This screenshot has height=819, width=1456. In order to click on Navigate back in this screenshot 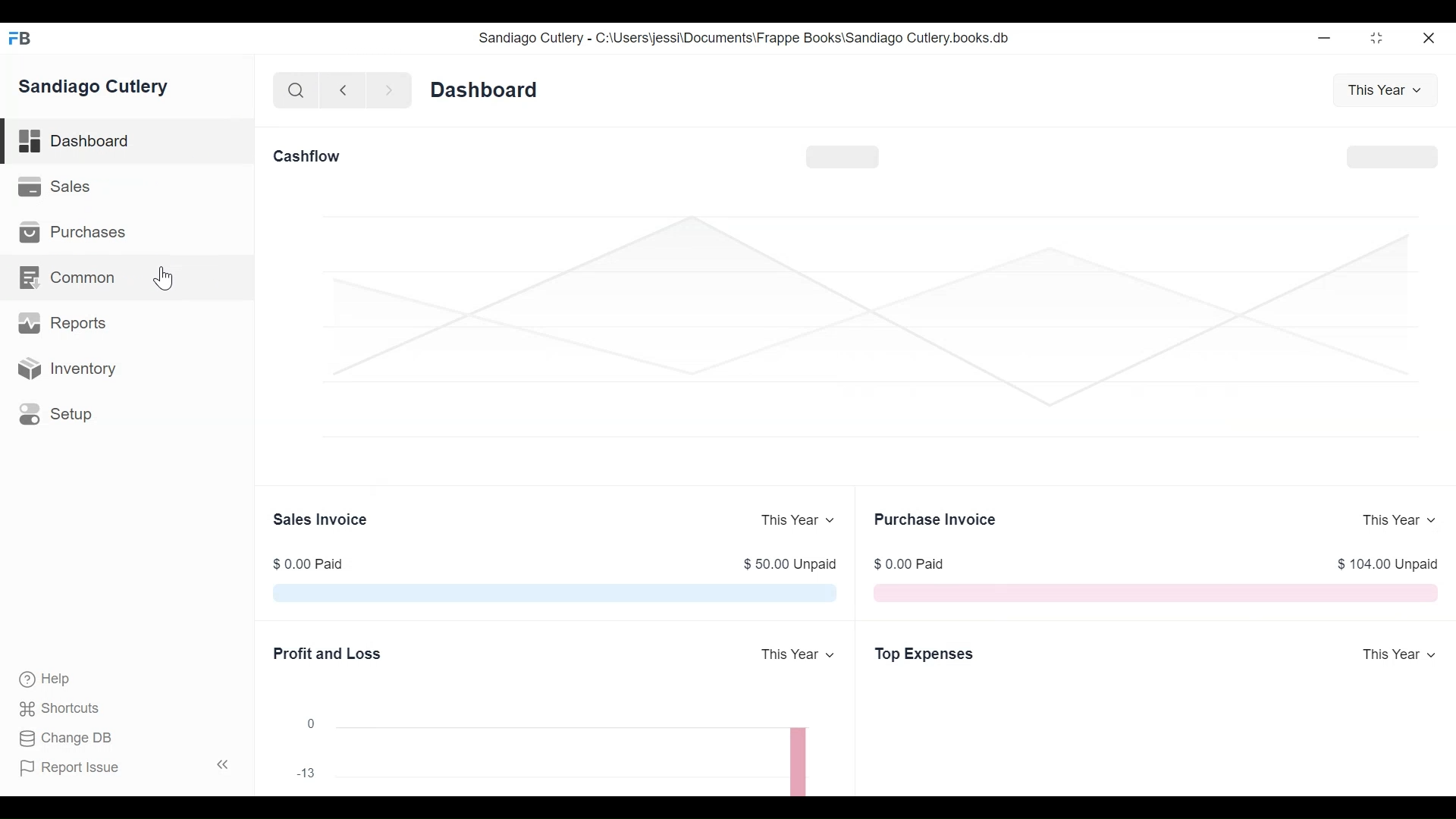, I will do `click(343, 93)`.